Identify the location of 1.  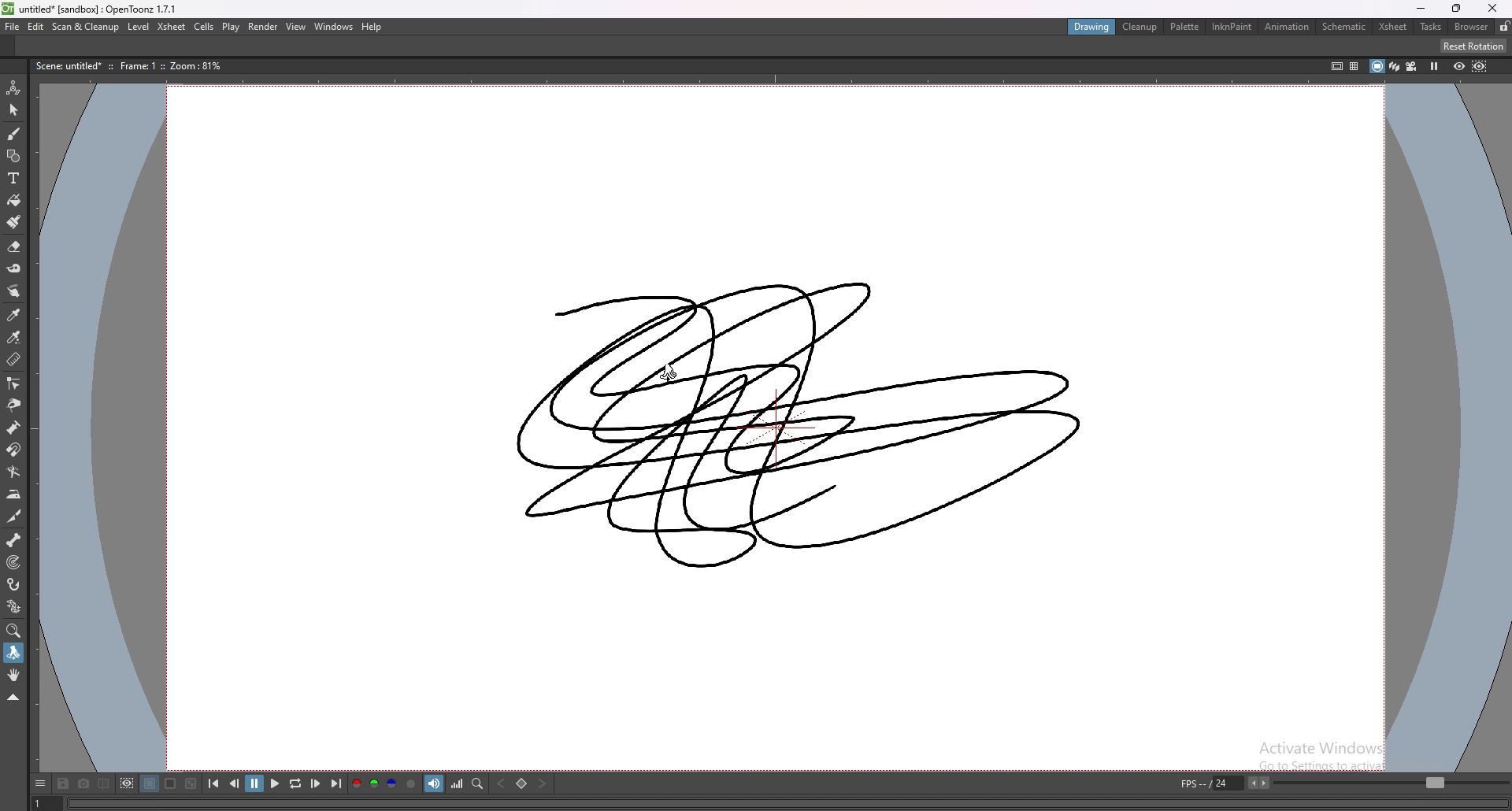
(42, 803).